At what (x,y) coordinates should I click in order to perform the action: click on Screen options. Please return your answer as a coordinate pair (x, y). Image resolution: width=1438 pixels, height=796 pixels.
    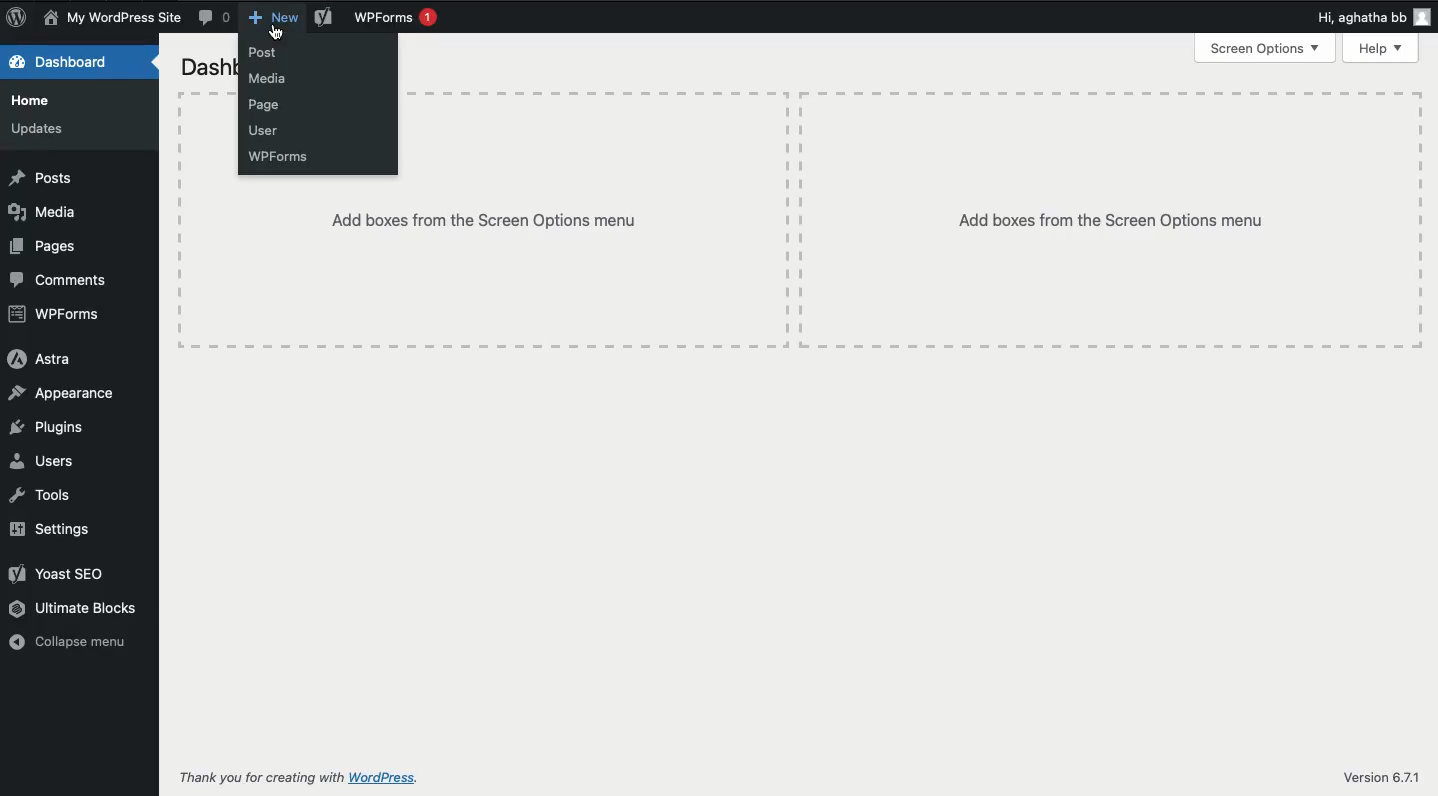
    Looking at the image, I should click on (1267, 49).